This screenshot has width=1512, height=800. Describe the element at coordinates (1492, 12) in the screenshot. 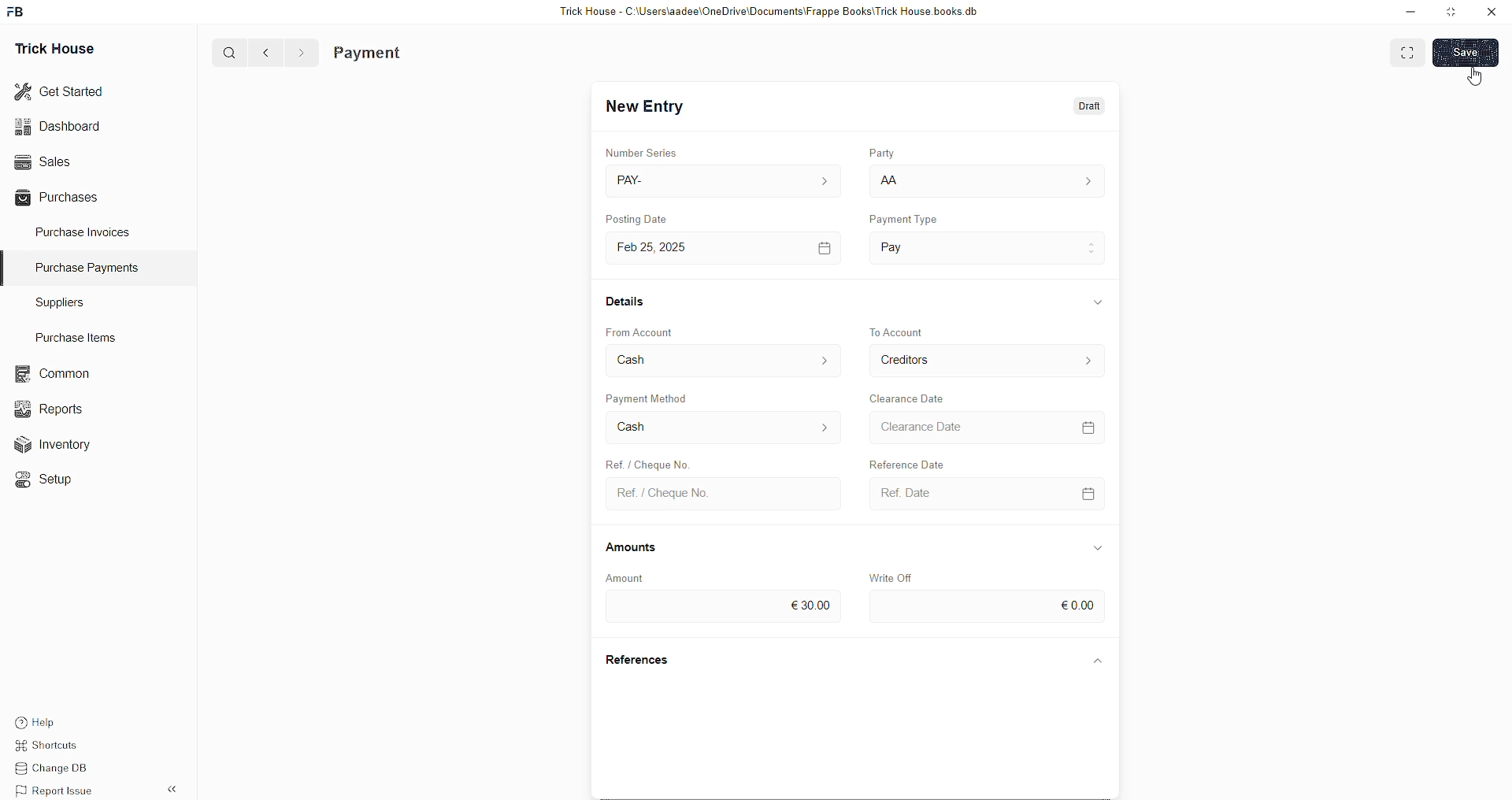

I see `close` at that location.